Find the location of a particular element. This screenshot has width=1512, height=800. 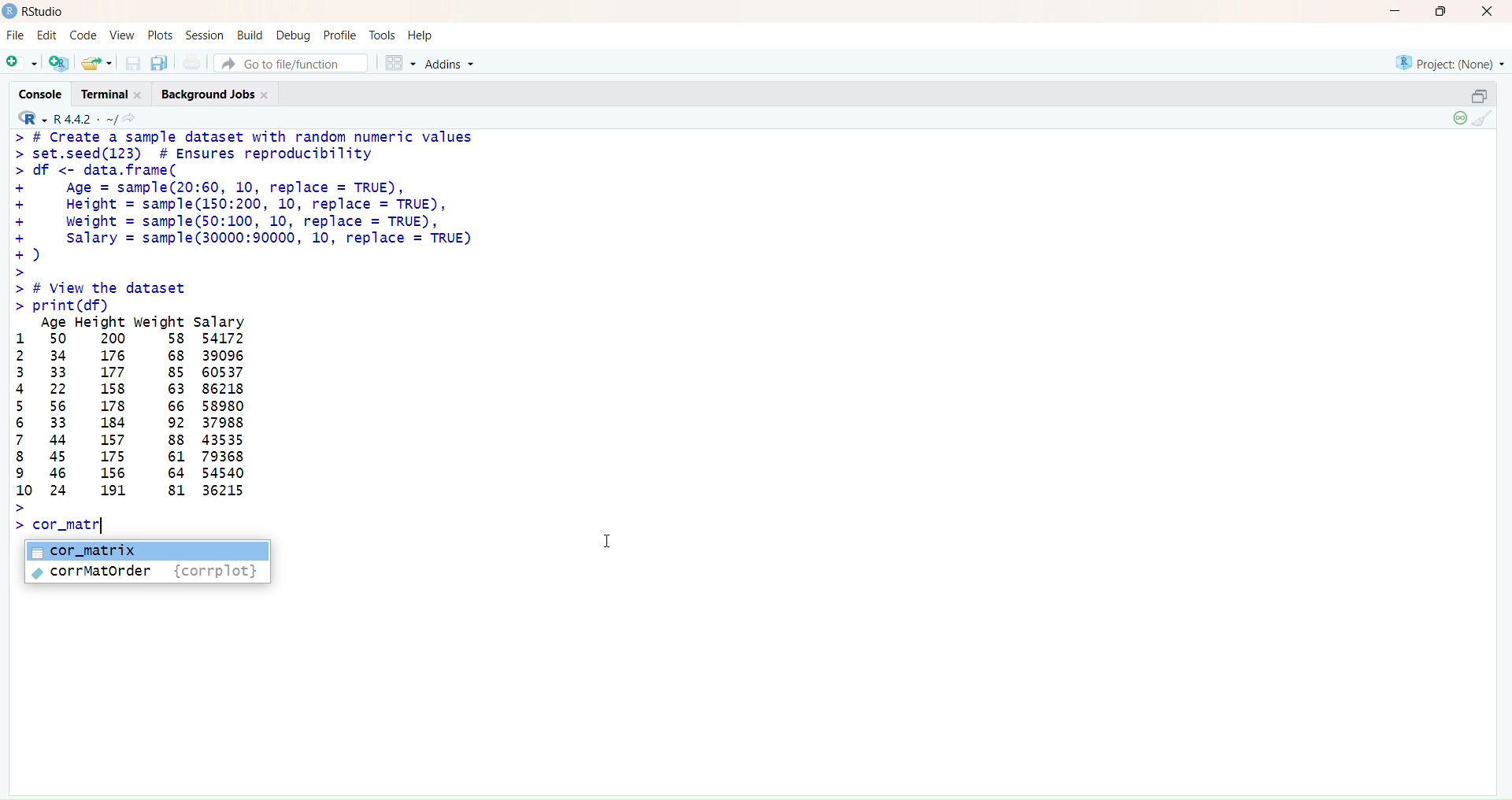

Help is located at coordinates (420, 32).